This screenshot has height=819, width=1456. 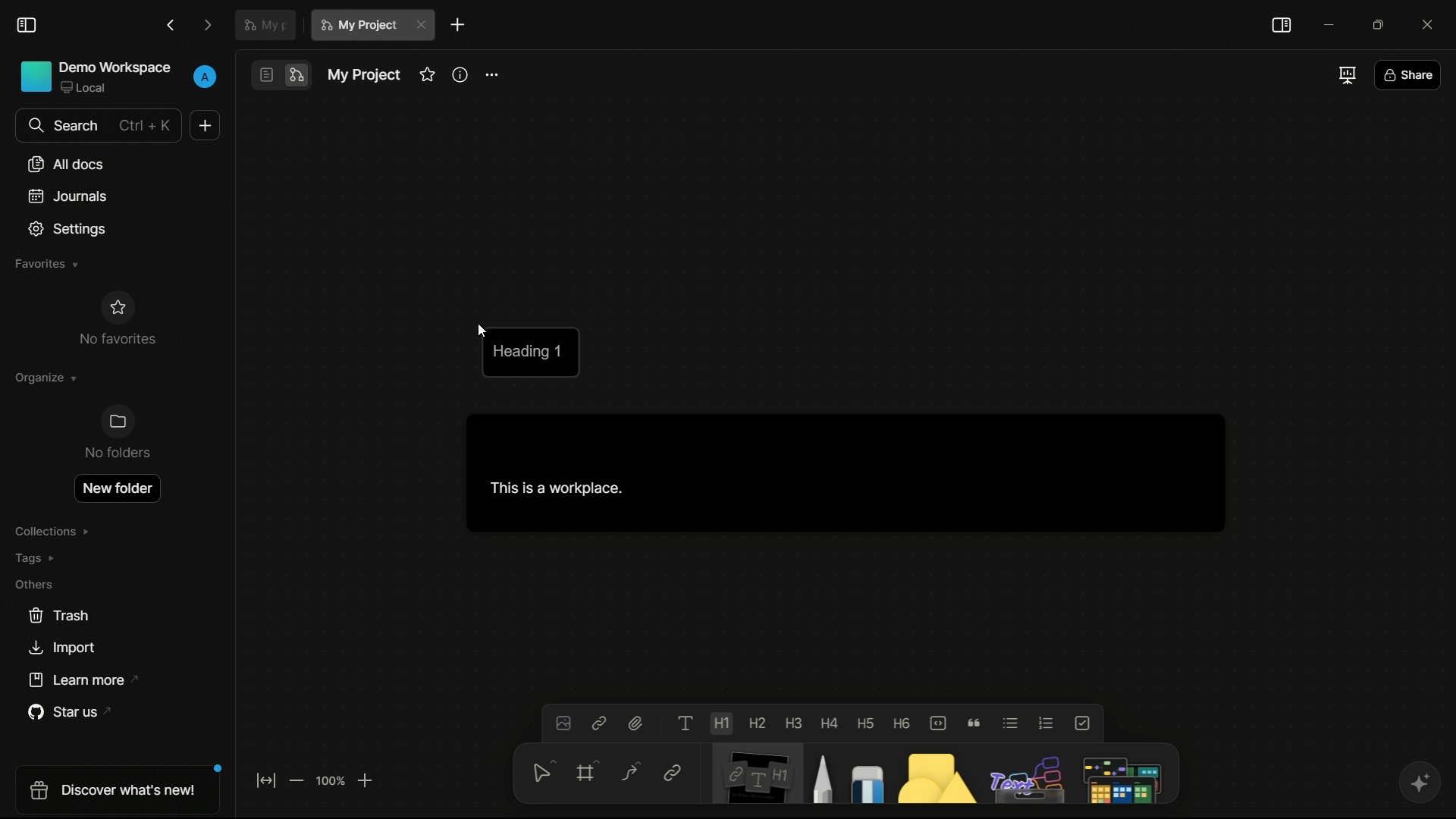 What do you see at coordinates (539, 776) in the screenshot?
I see `select` at bounding box center [539, 776].